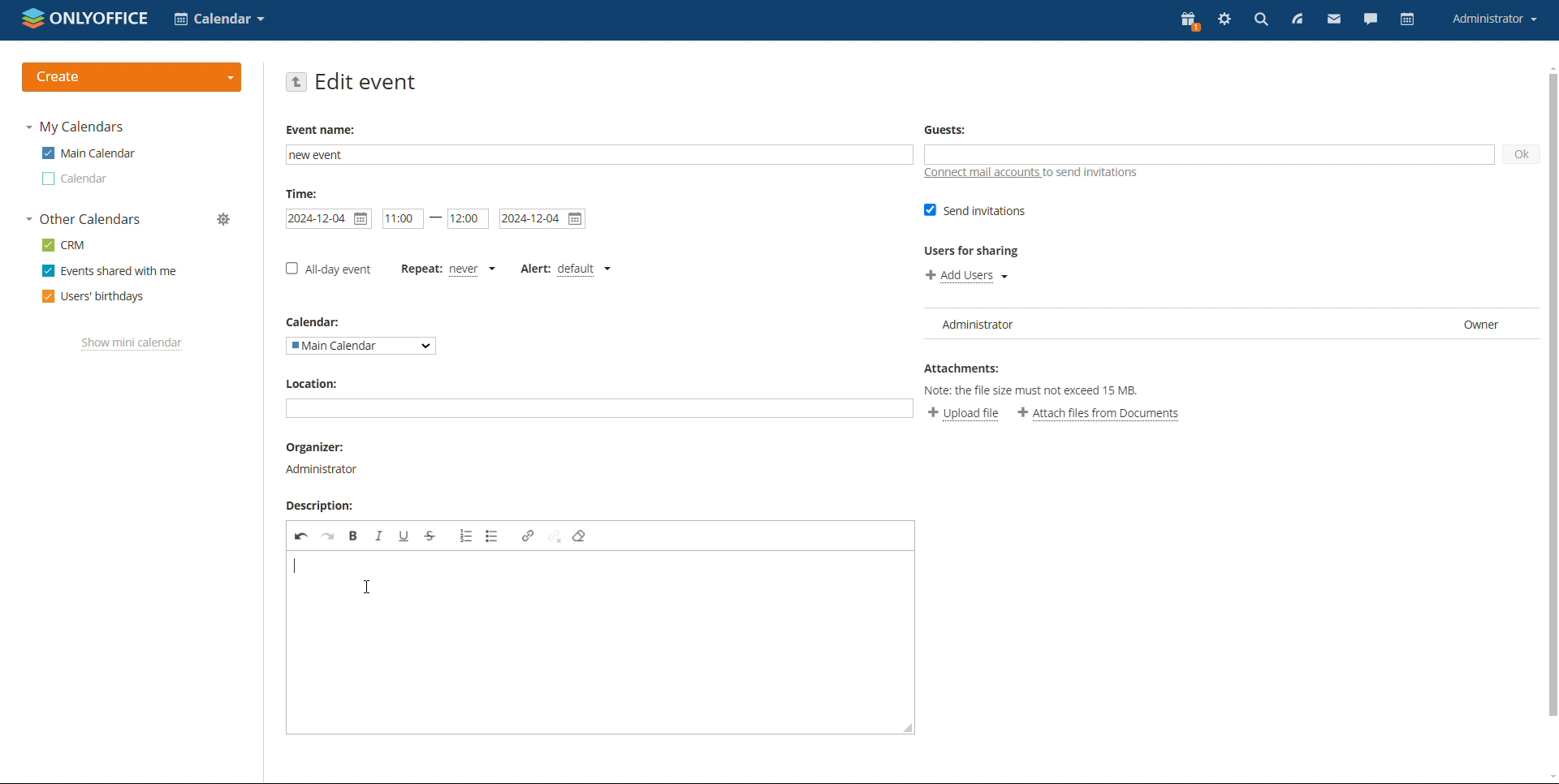 Image resolution: width=1559 pixels, height=784 pixels. What do you see at coordinates (470, 269) in the screenshot?
I see `never` at bounding box center [470, 269].